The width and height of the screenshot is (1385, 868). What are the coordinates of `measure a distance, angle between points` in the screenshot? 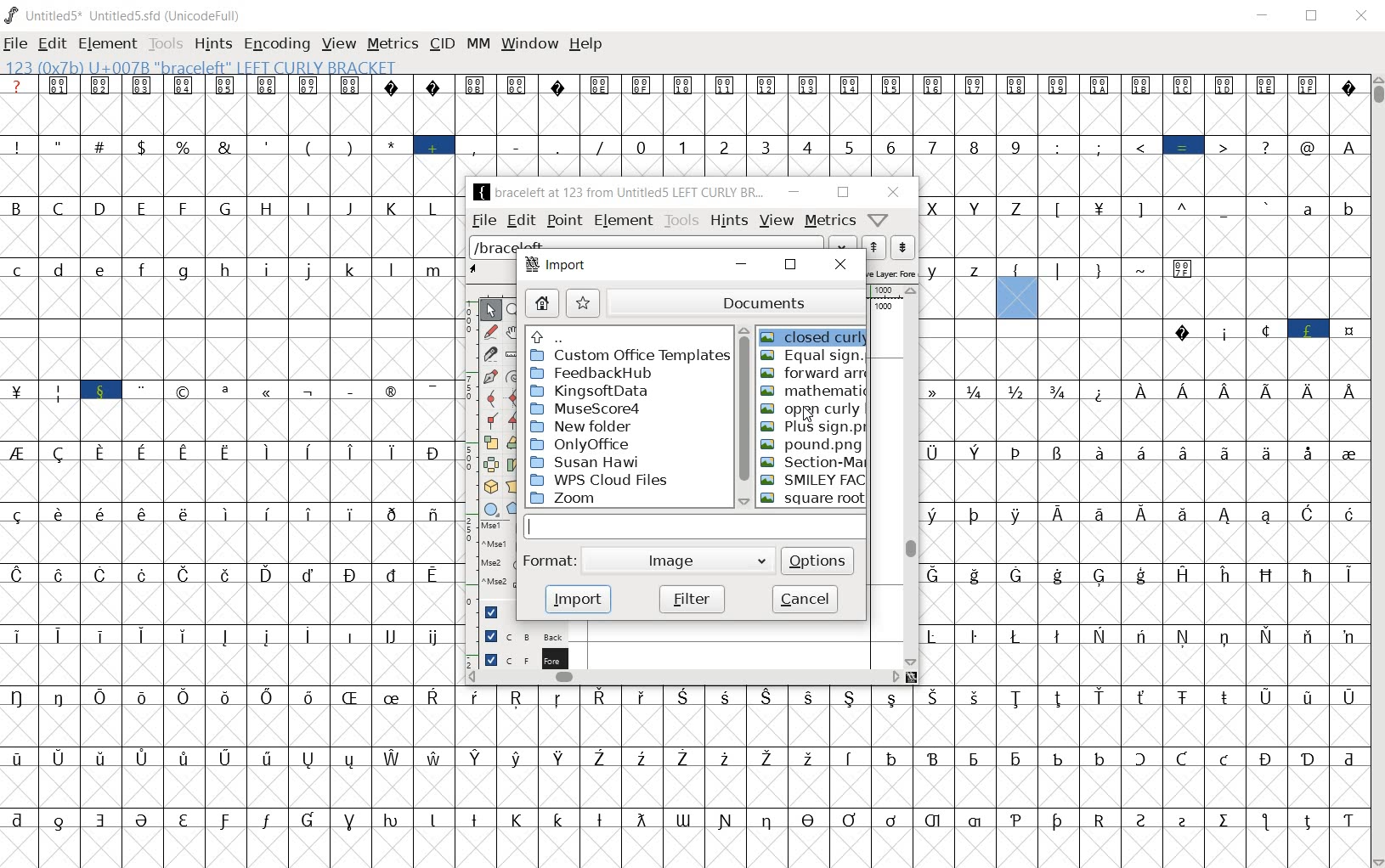 It's located at (514, 355).